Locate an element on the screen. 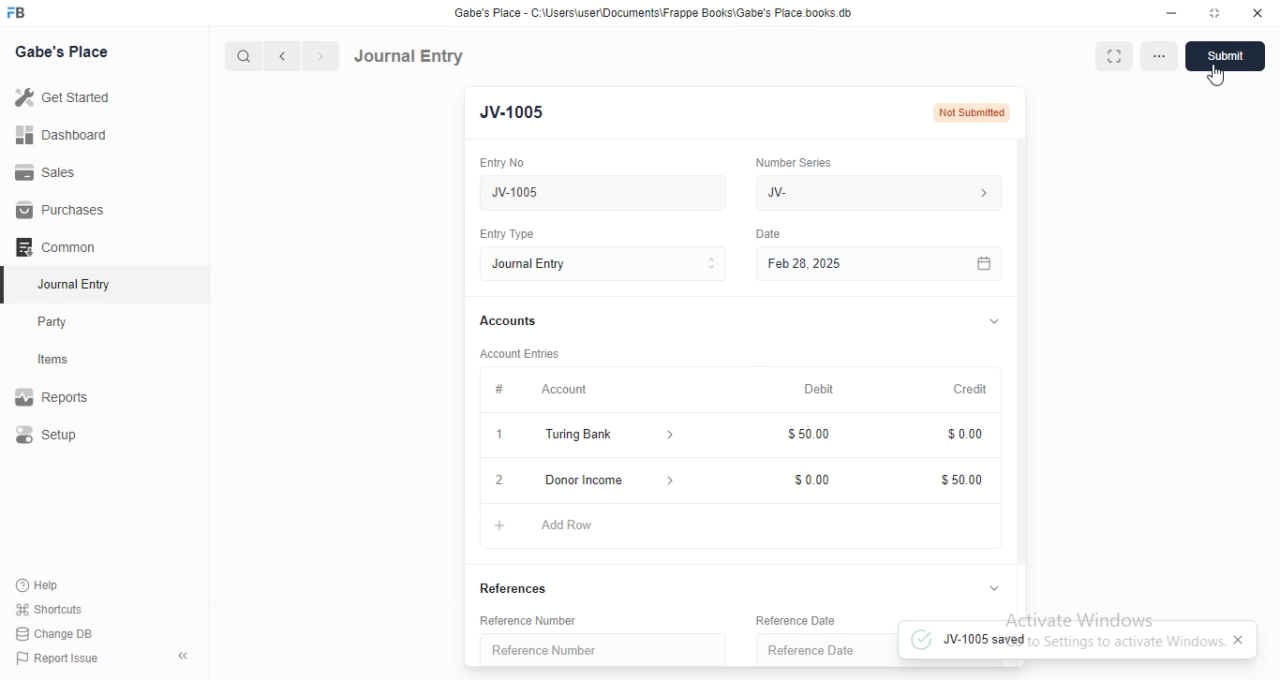  $000 is located at coordinates (815, 479).